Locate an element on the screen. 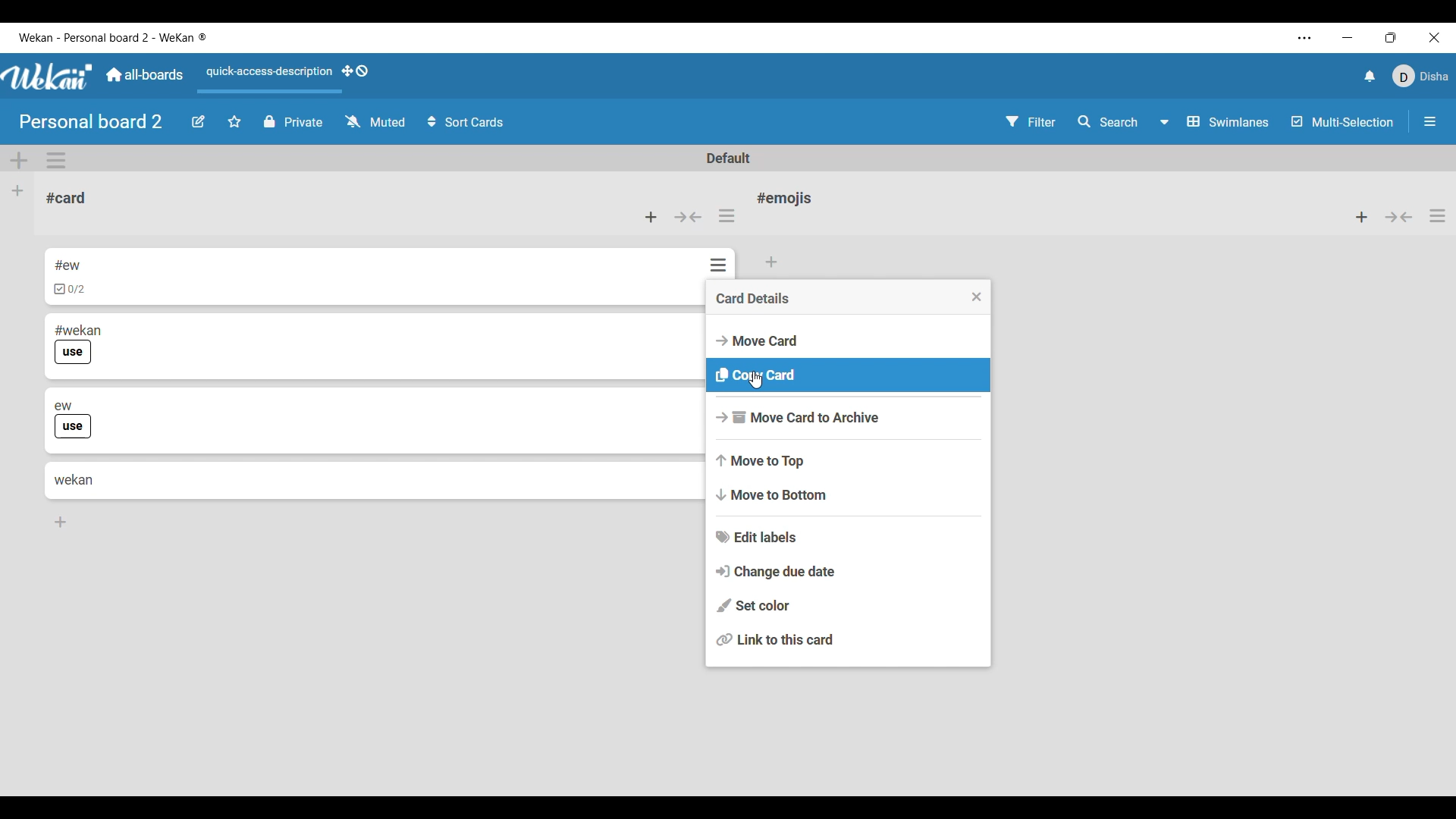 The height and width of the screenshot is (819, 1456). Show interface in a smaller tab is located at coordinates (1391, 37).